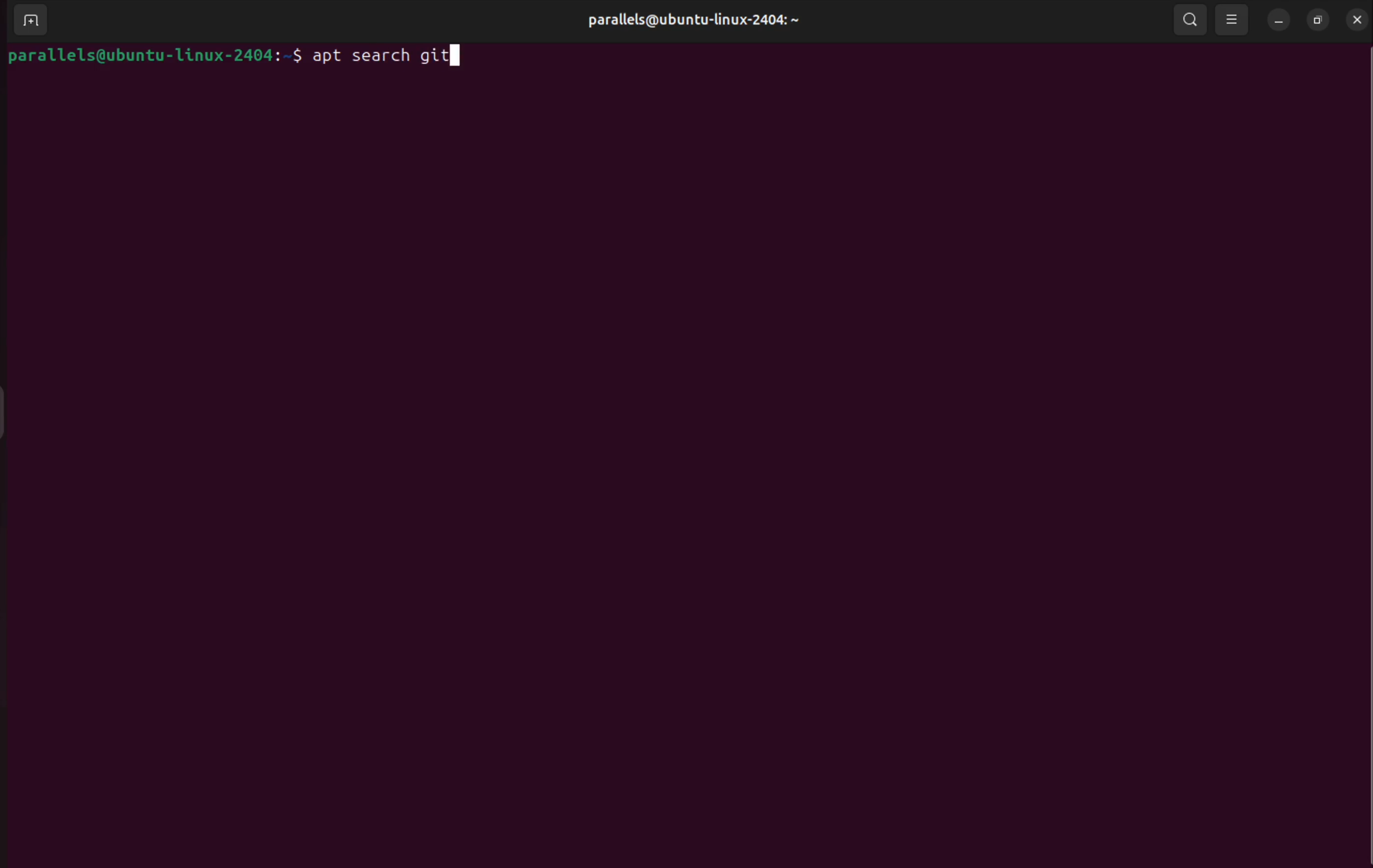  What do you see at coordinates (1183, 19) in the screenshot?
I see `search` at bounding box center [1183, 19].